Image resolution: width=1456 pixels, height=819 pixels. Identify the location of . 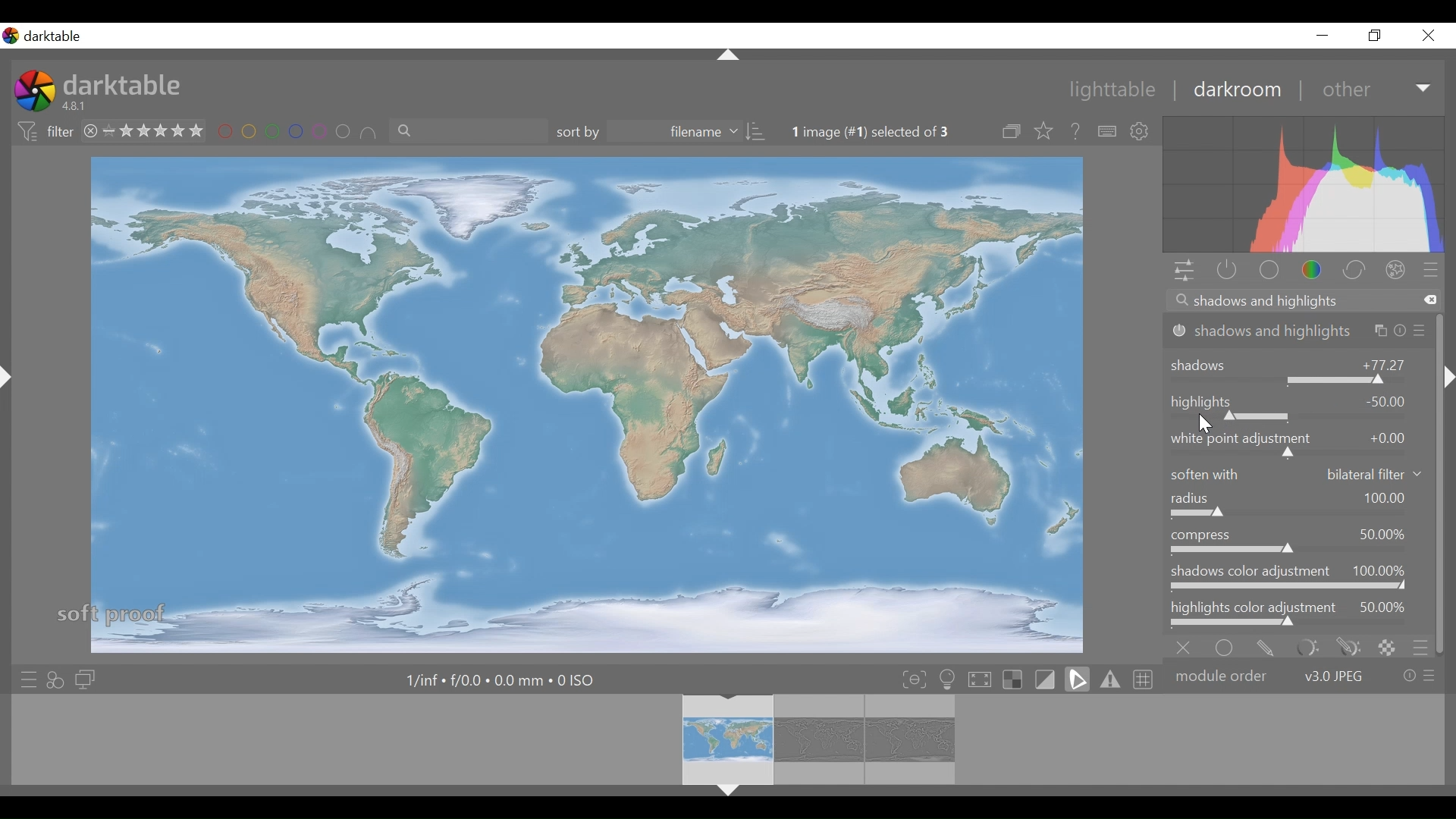
(730, 794).